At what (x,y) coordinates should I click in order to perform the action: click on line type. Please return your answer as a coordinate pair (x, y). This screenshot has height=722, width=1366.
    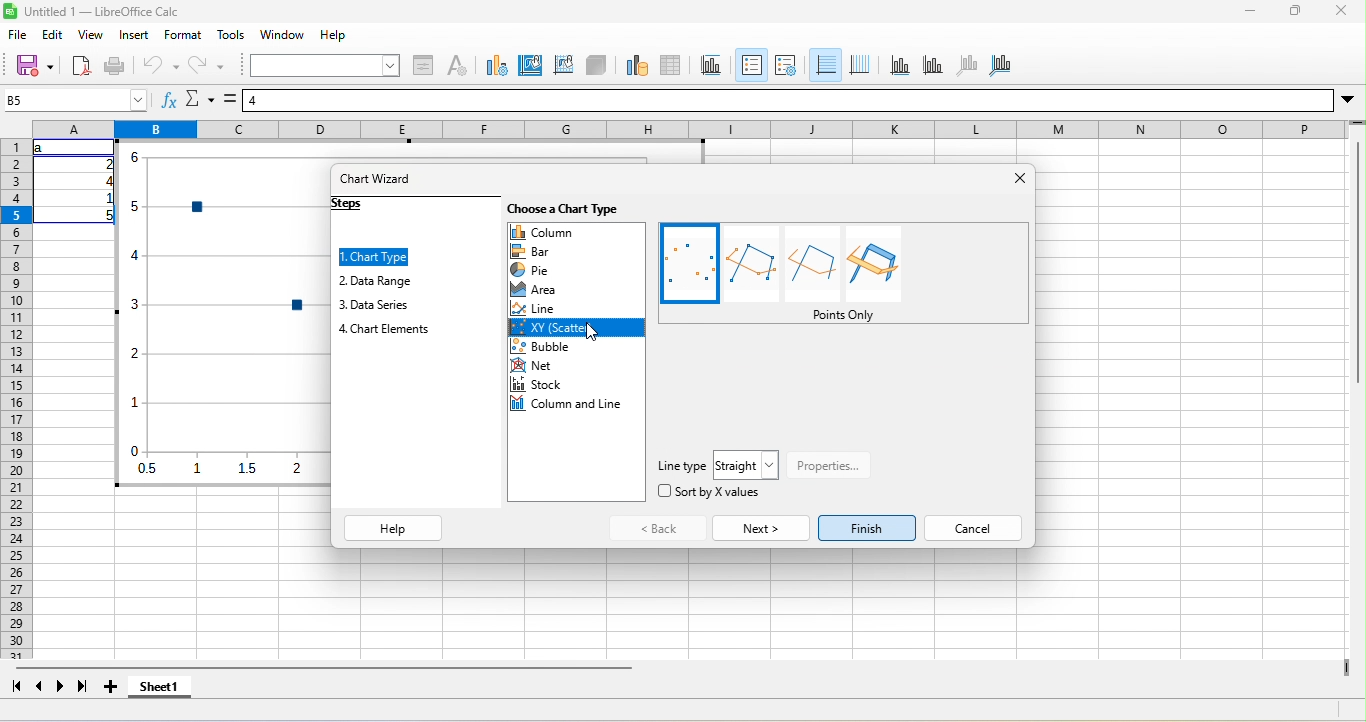
    Looking at the image, I should click on (683, 466).